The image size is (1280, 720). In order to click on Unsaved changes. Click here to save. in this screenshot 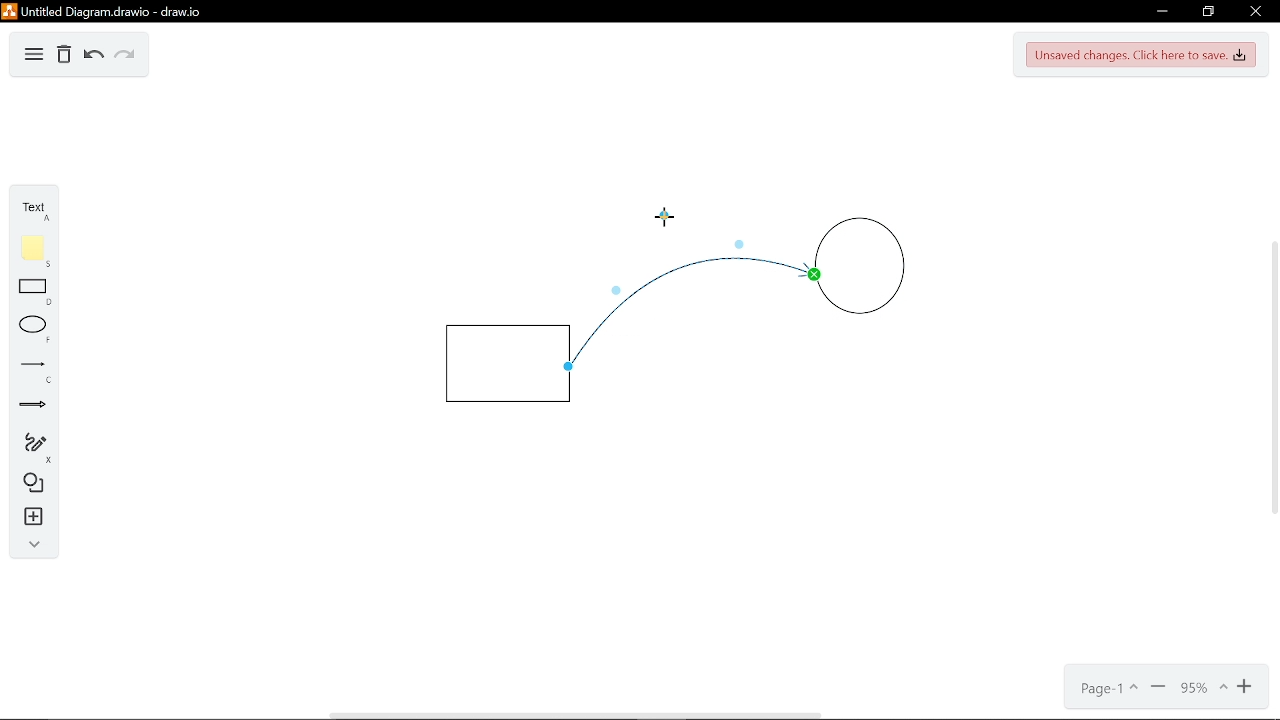, I will do `click(1140, 56)`.